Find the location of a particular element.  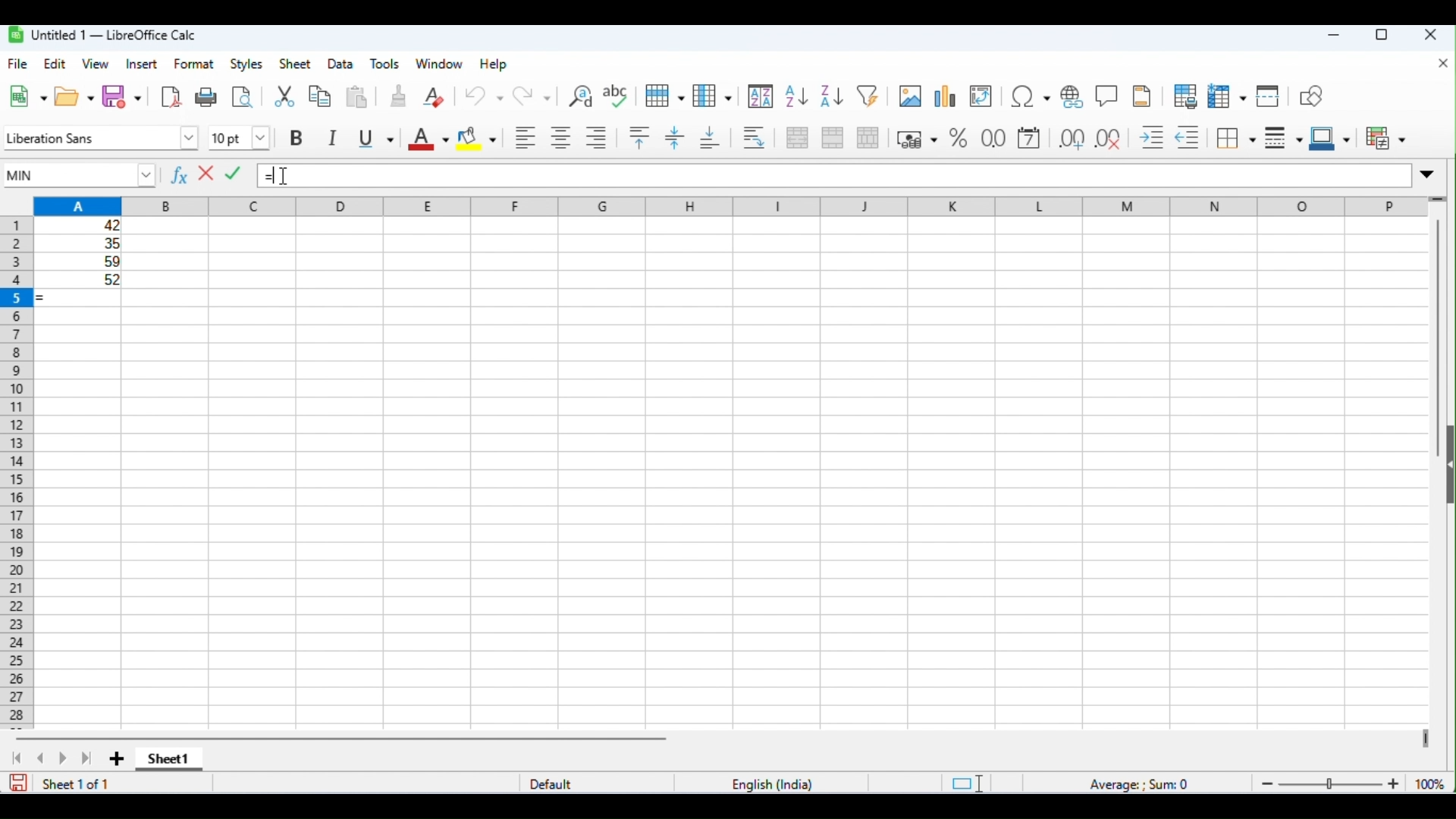

column headings is located at coordinates (727, 204).